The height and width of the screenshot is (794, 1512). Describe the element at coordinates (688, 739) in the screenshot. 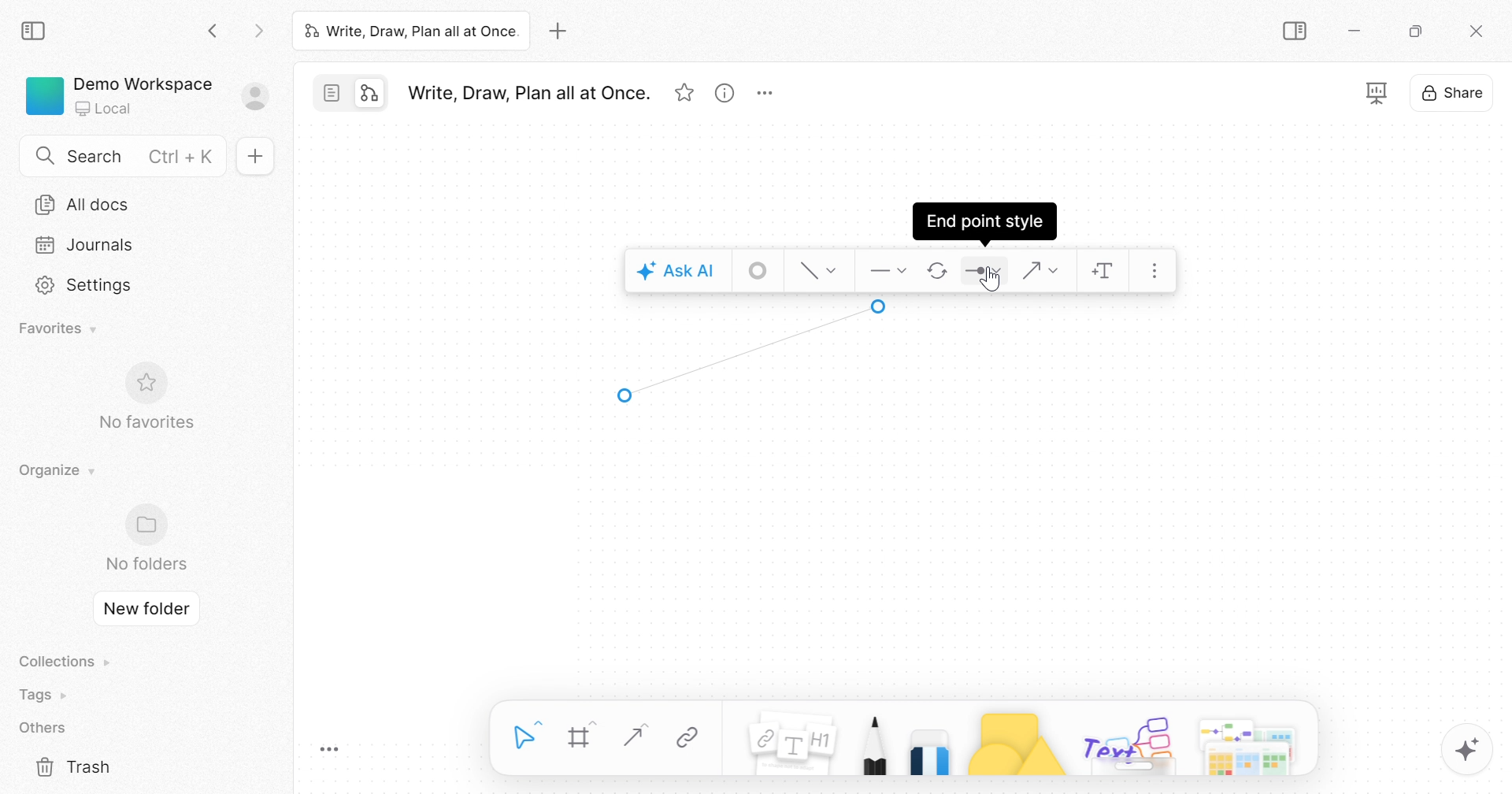

I see `Link` at that location.